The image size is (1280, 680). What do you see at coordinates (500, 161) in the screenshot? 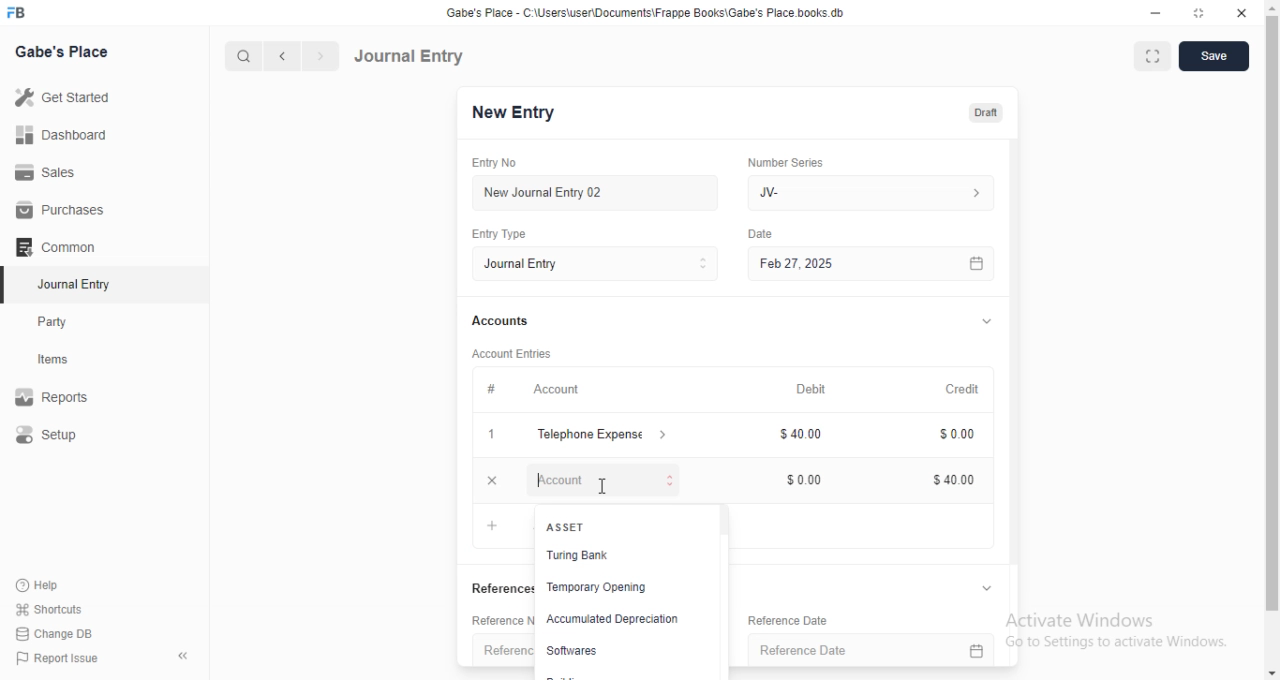
I see `Entry No` at bounding box center [500, 161].